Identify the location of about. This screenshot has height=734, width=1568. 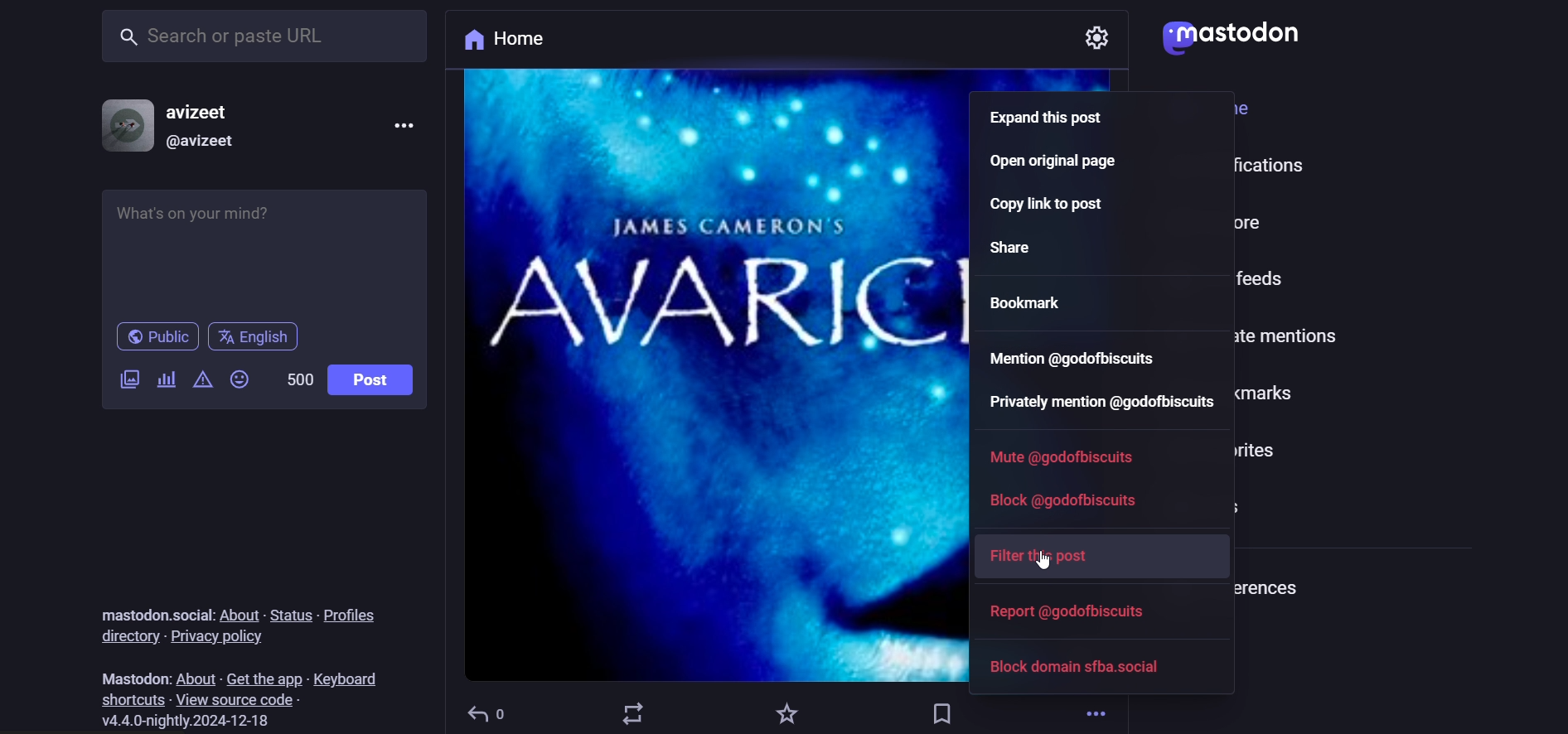
(192, 678).